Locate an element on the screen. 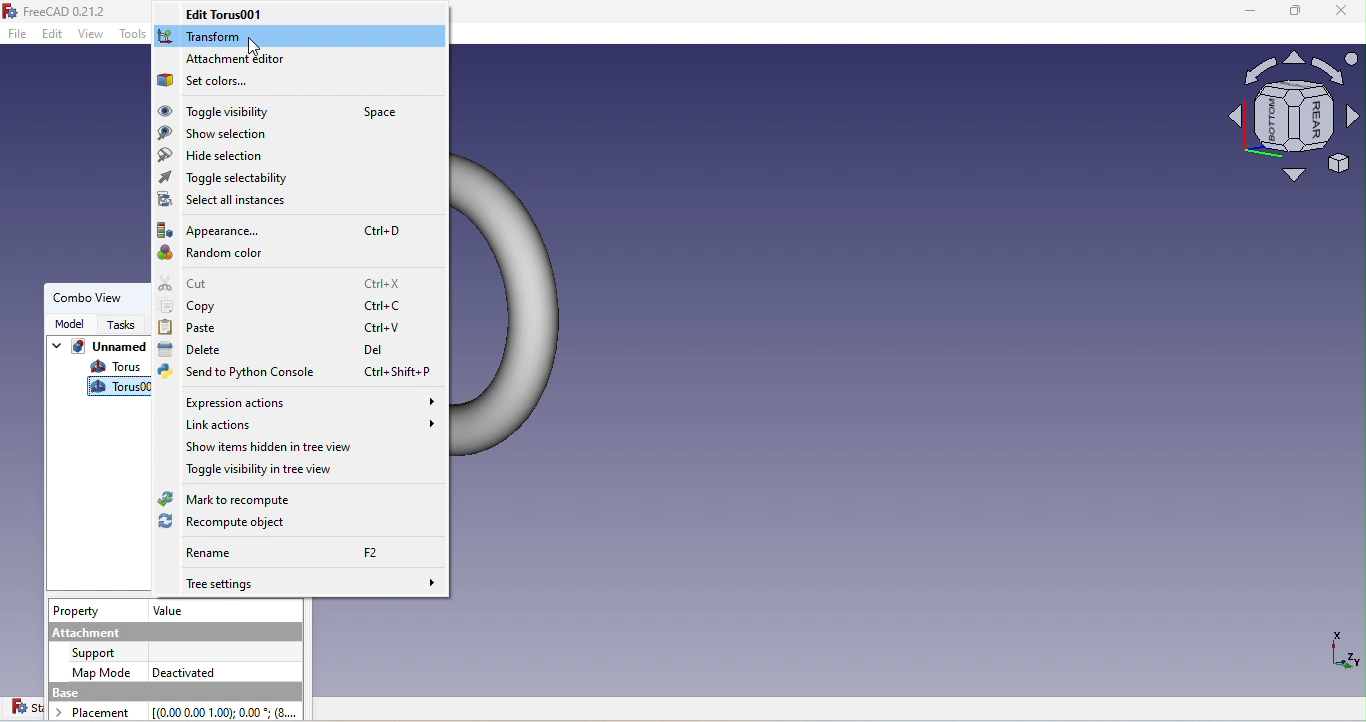 This screenshot has width=1366, height=722. Value is located at coordinates (168, 609).